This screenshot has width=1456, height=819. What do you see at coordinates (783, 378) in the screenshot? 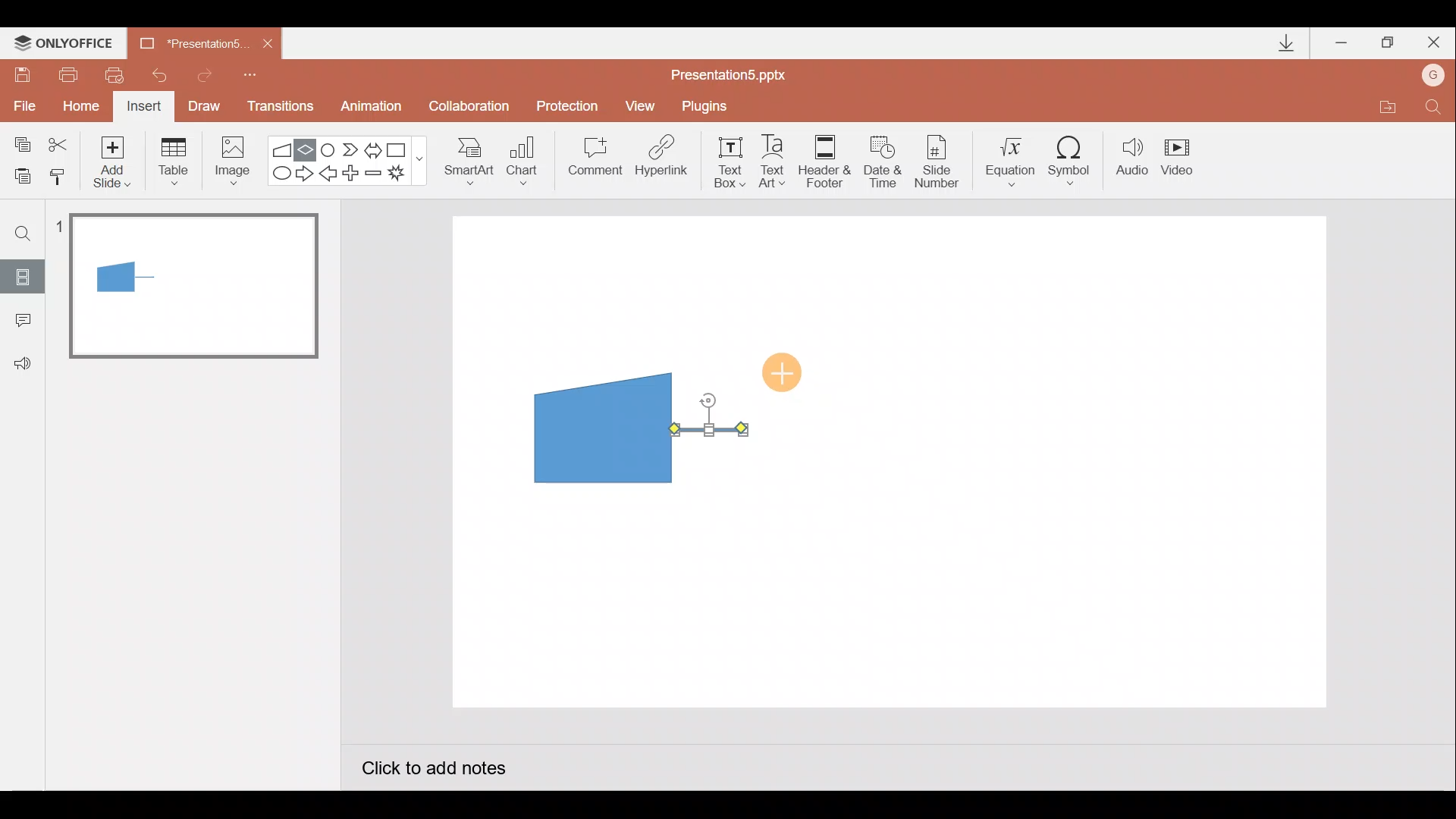
I see `Cursor` at bounding box center [783, 378].